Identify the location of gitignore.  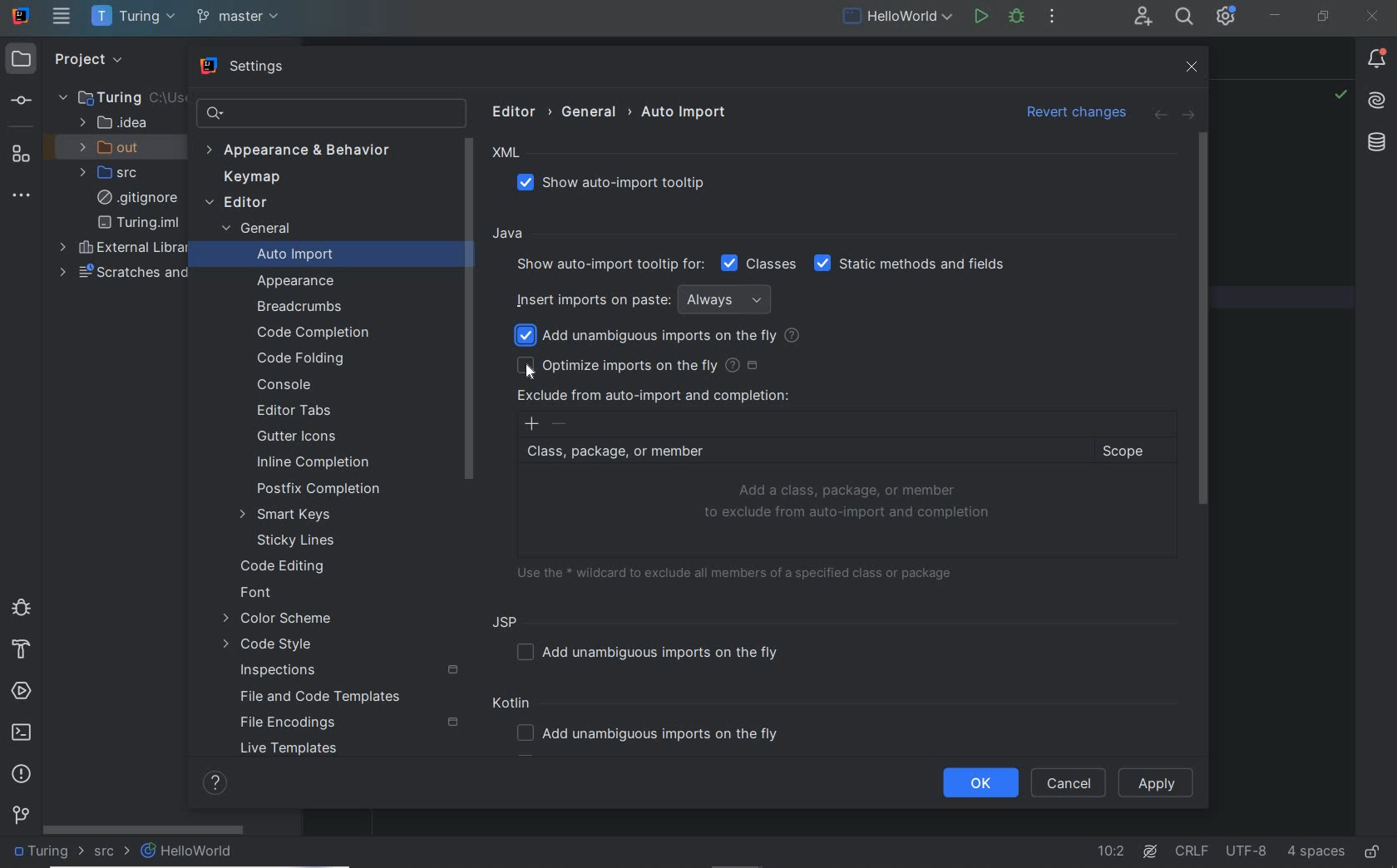
(137, 198).